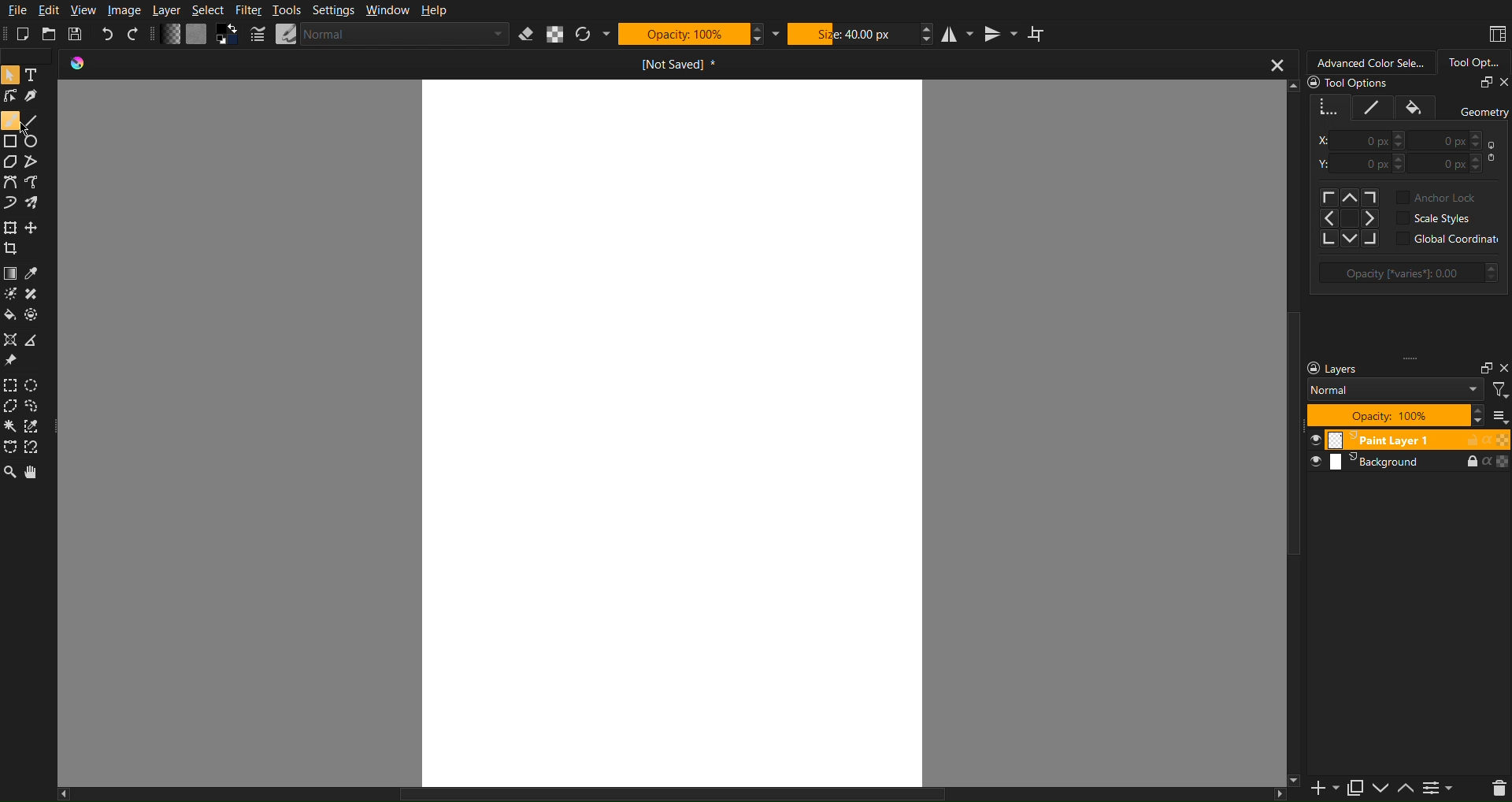 The width and height of the screenshot is (1512, 802). What do you see at coordinates (38, 293) in the screenshot?
I see `Blemish Fix` at bounding box center [38, 293].